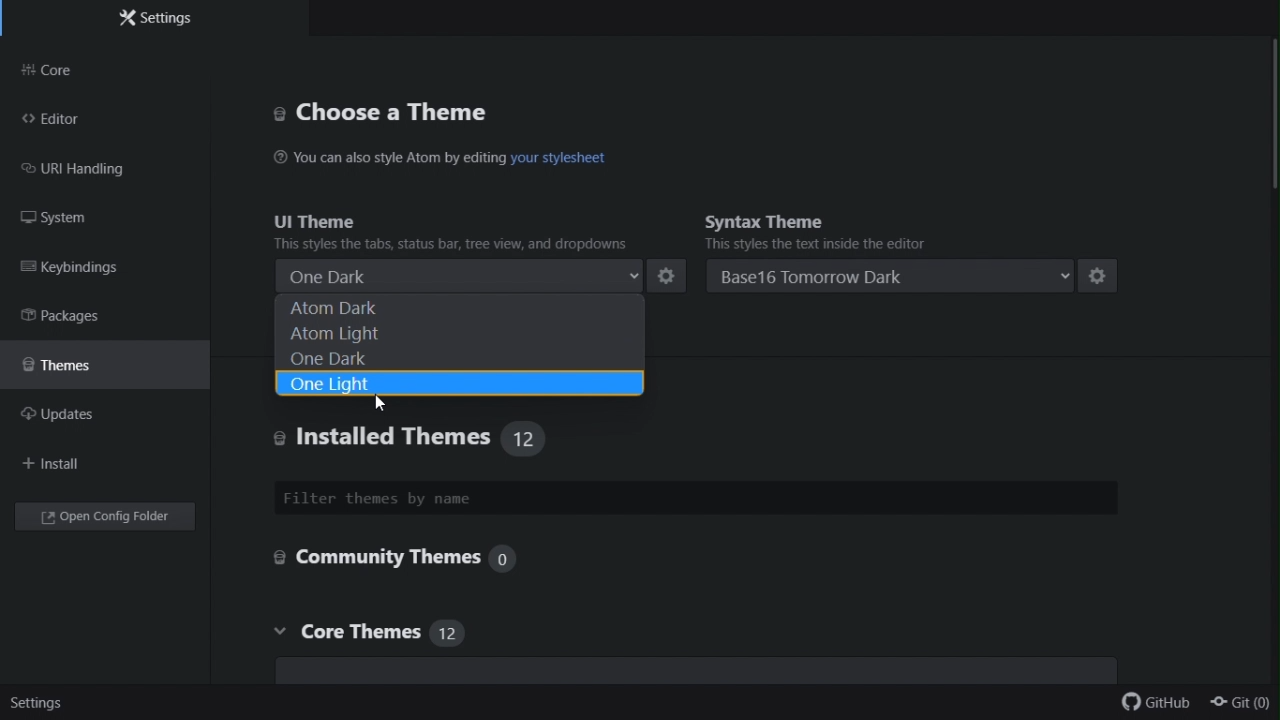  What do you see at coordinates (380, 438) in the screenshot?
I see `Install themes` at bounding box center [380, 438].